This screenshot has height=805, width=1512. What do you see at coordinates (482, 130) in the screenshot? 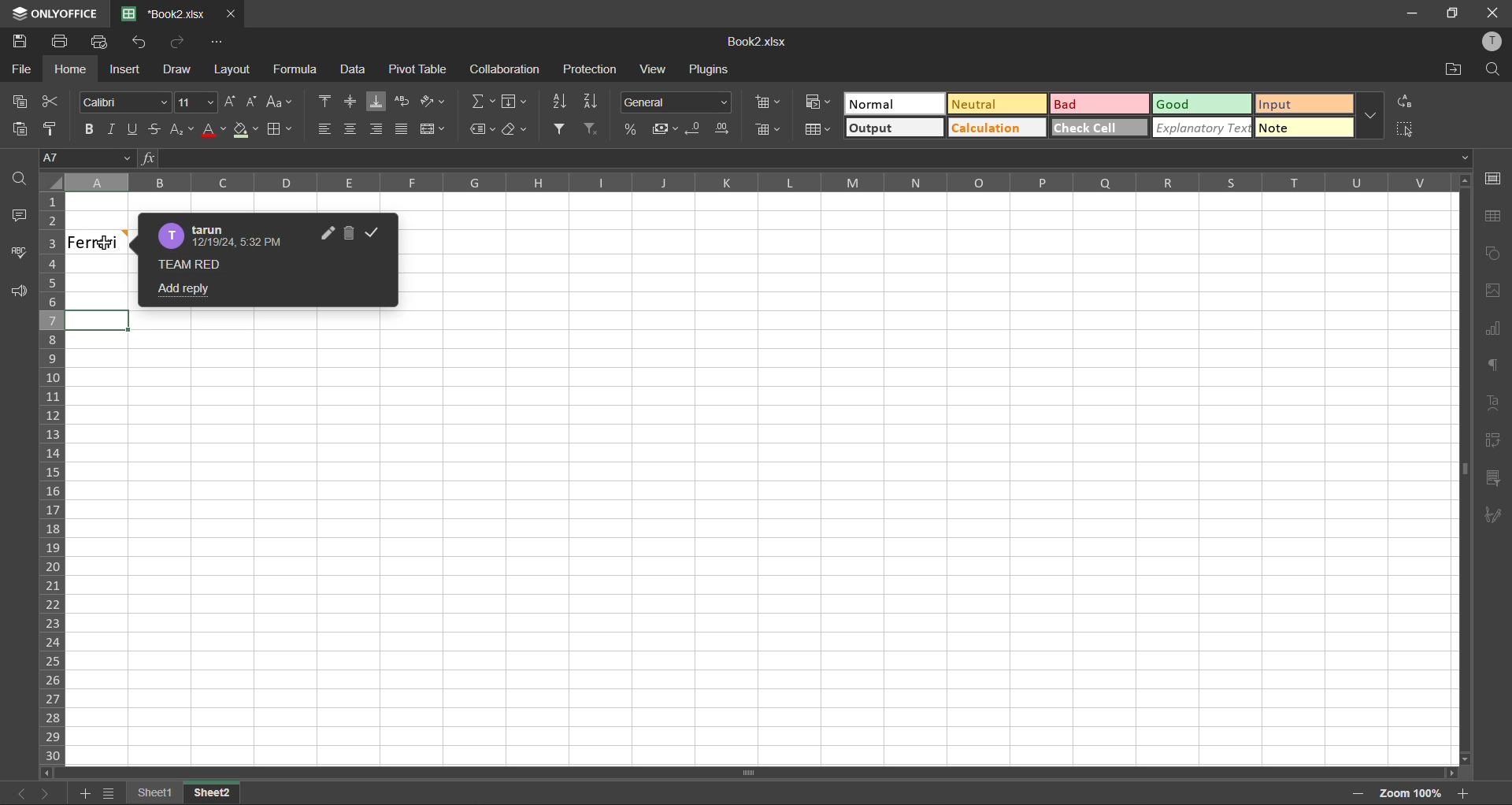
I see `named ranges` at bounding box center [482, 130].